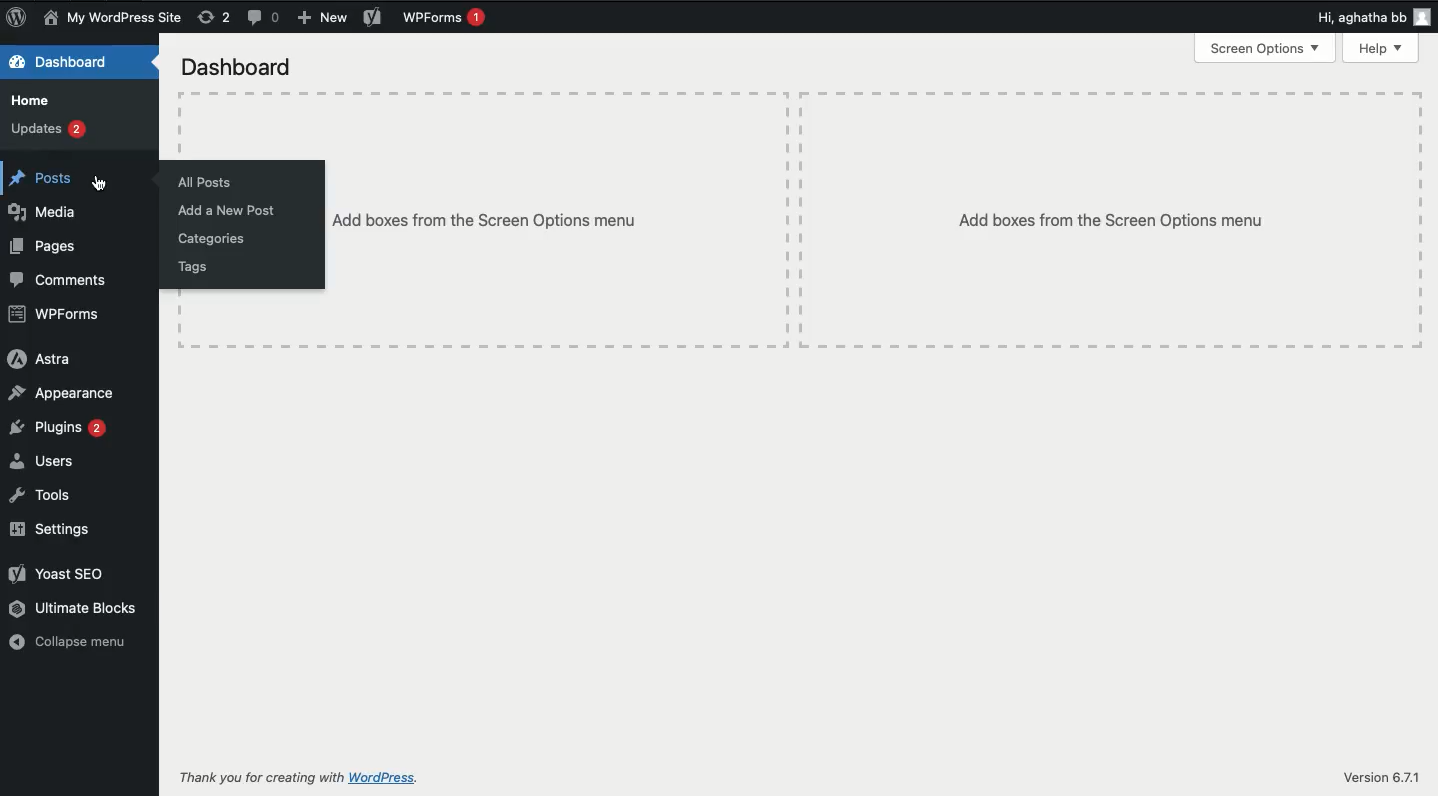  What do you see at coordinates (374, 17) in the screenshot?
I see `Yoast` at bounding box center [374, 17].